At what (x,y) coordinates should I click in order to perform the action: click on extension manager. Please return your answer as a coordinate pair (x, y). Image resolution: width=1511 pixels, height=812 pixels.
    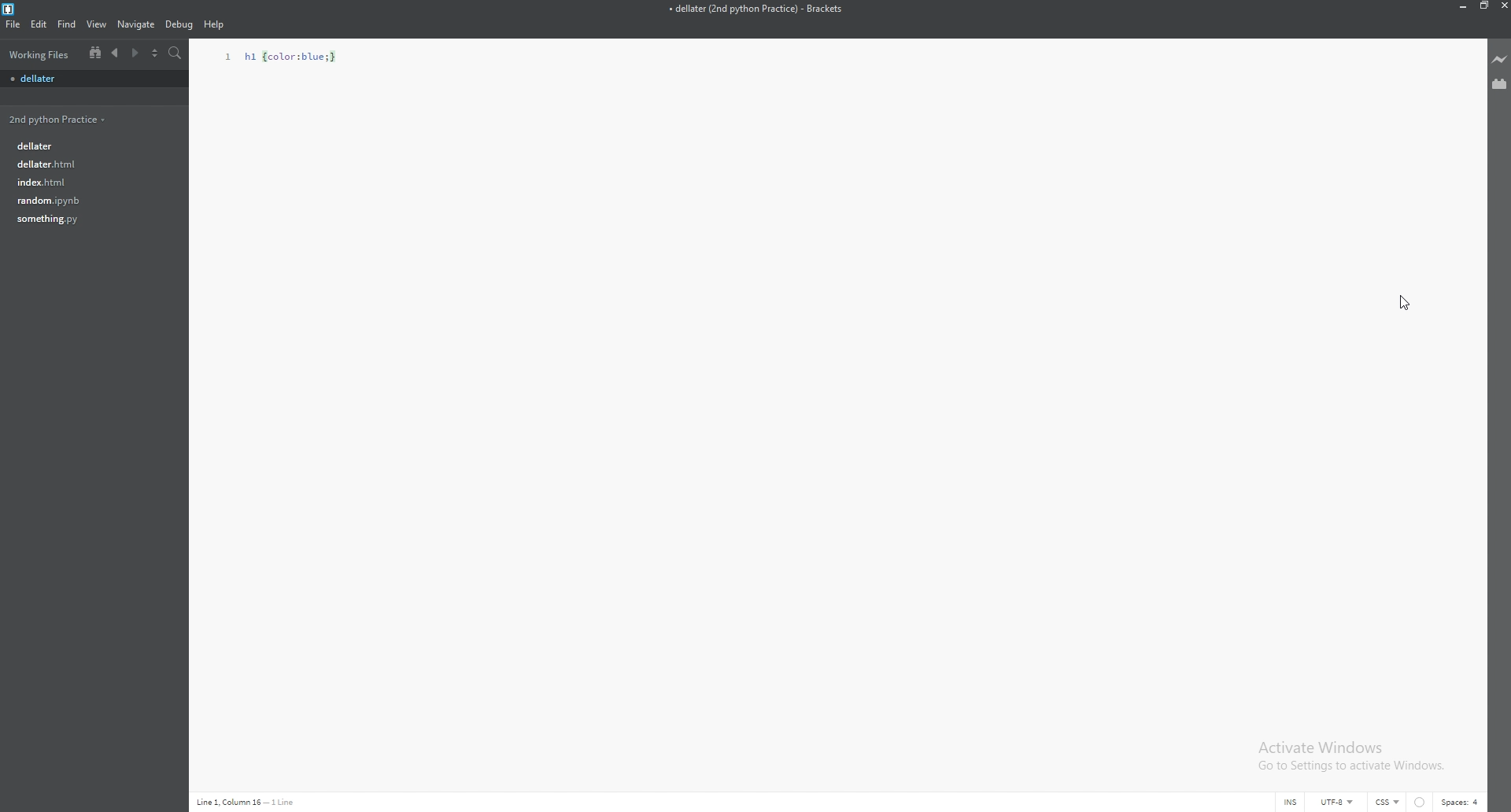
    Looking at the image, I should click on (1500, 83).